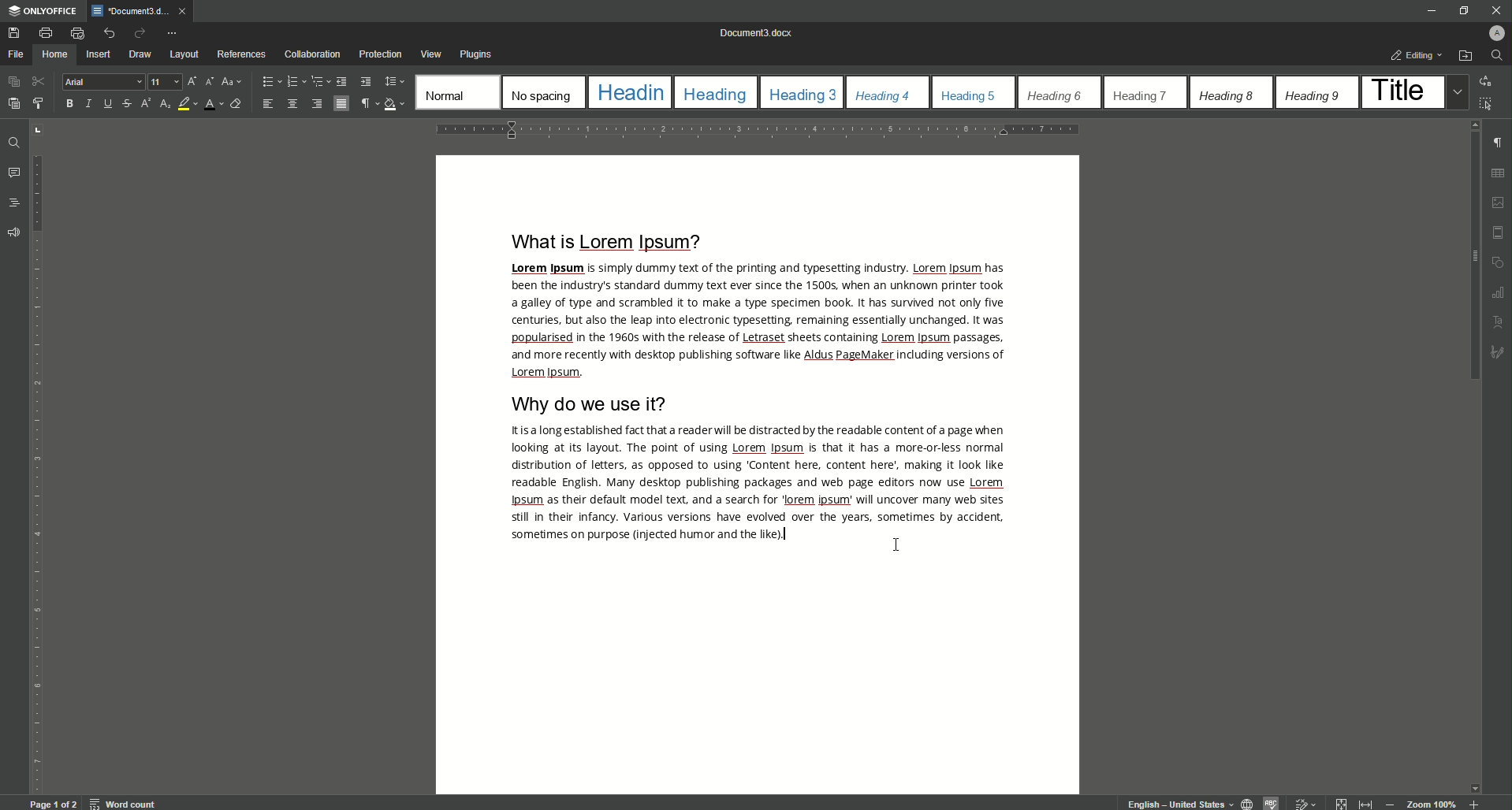 This screenshot has width=1512, height=810. What do you see at coordinates (367, 105) in the screenshot?
I see `Non-printing Characters` at bounding box center [367, 105].